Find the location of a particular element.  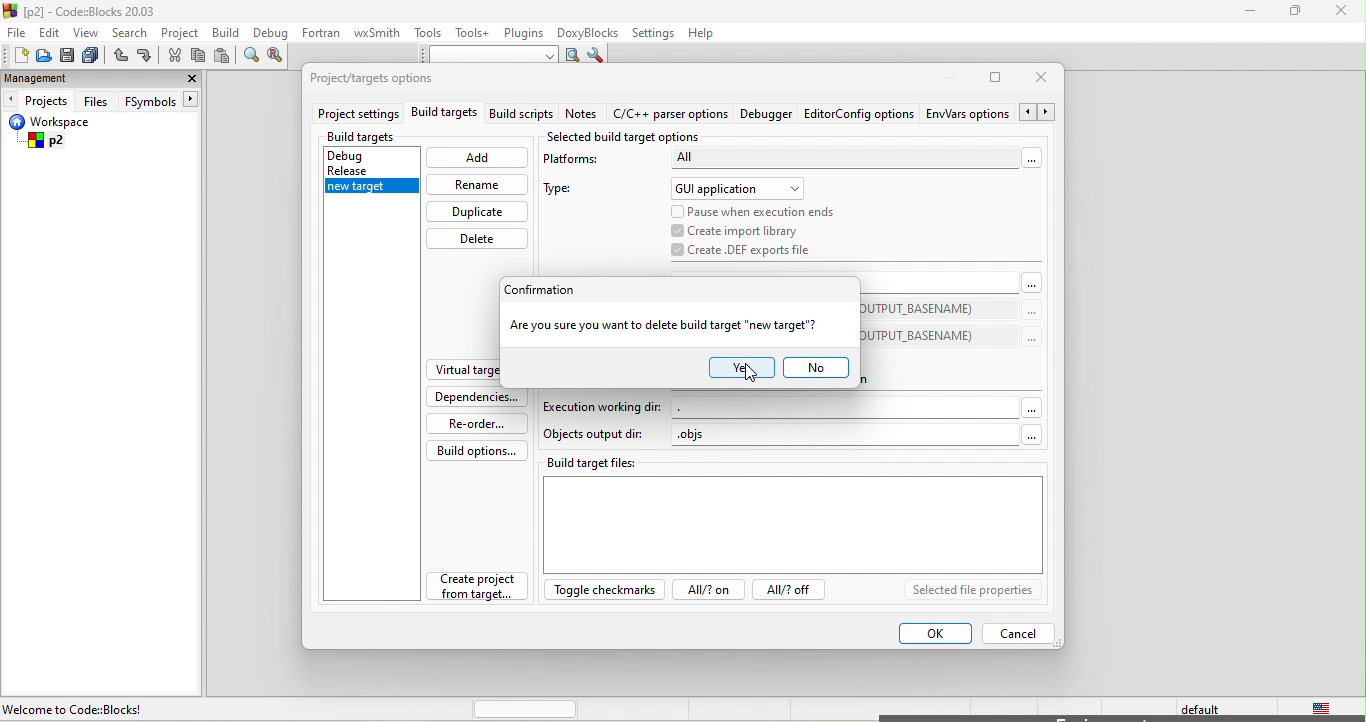

workspace p2 is located at coordinates (63, 134).